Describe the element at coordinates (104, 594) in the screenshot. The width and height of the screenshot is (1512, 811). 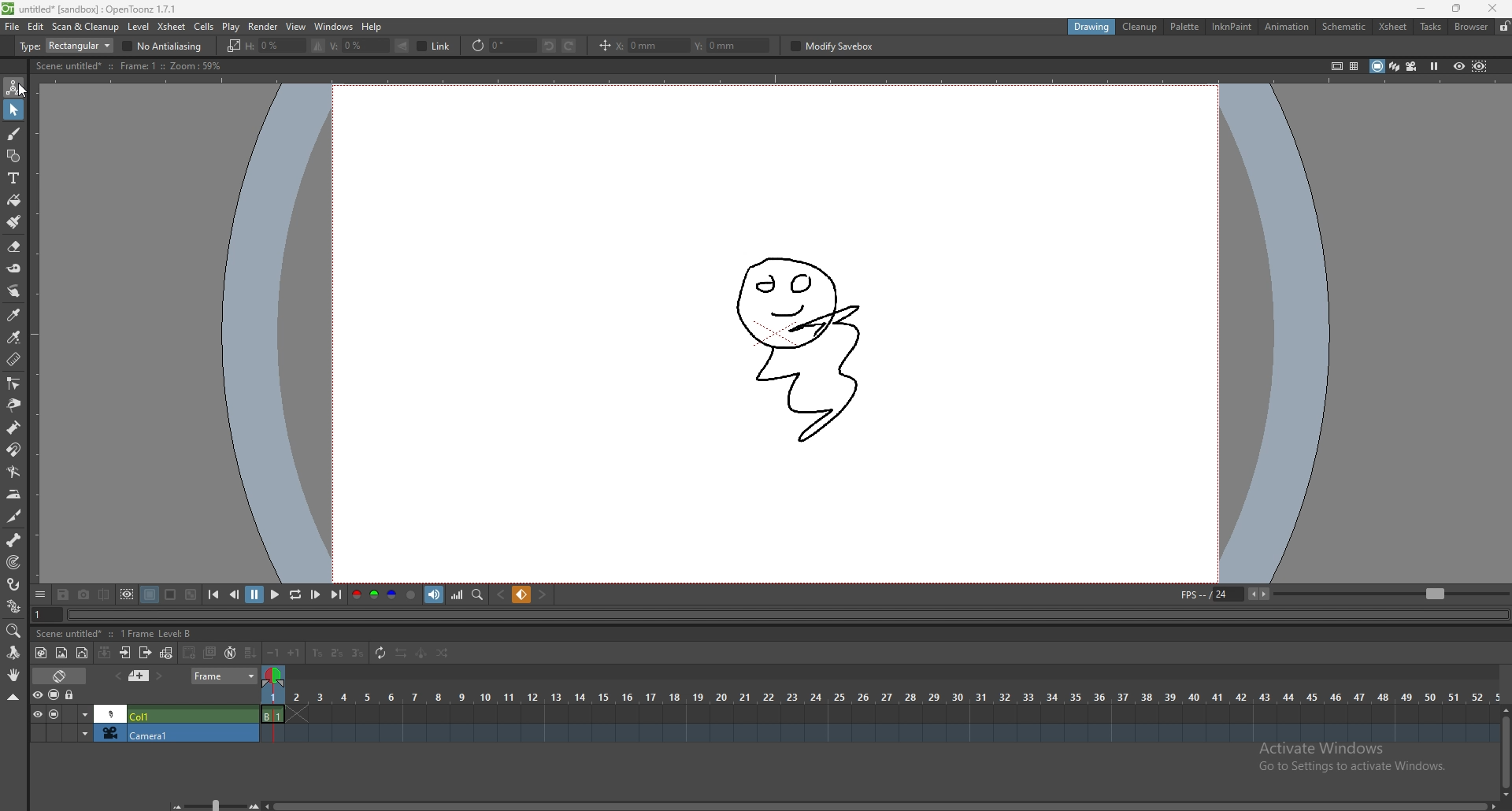
I see `compare to snapshot` at that location.